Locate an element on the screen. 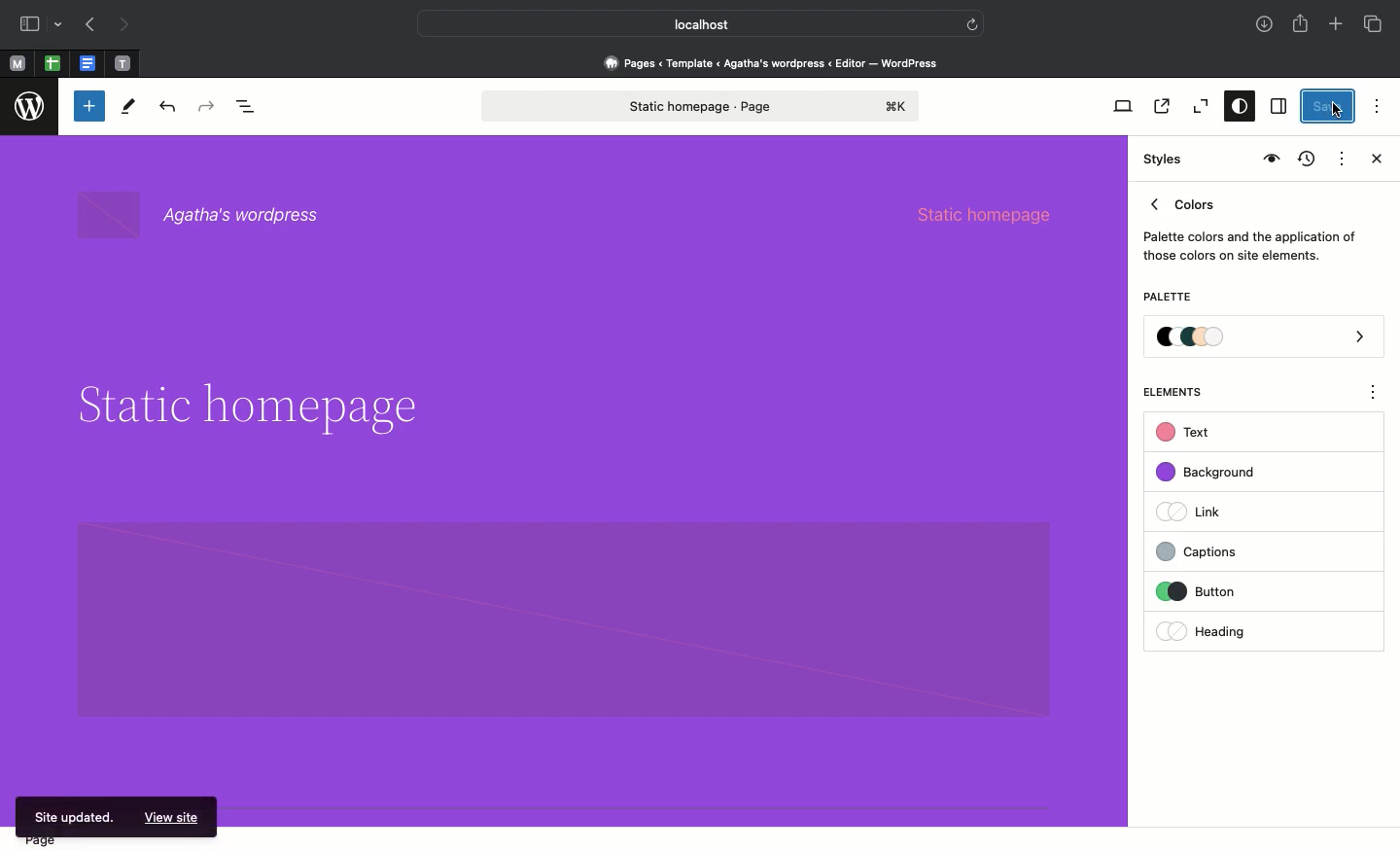 The image size is (1400, 850). Palette is located at coordinates (1167, 299).